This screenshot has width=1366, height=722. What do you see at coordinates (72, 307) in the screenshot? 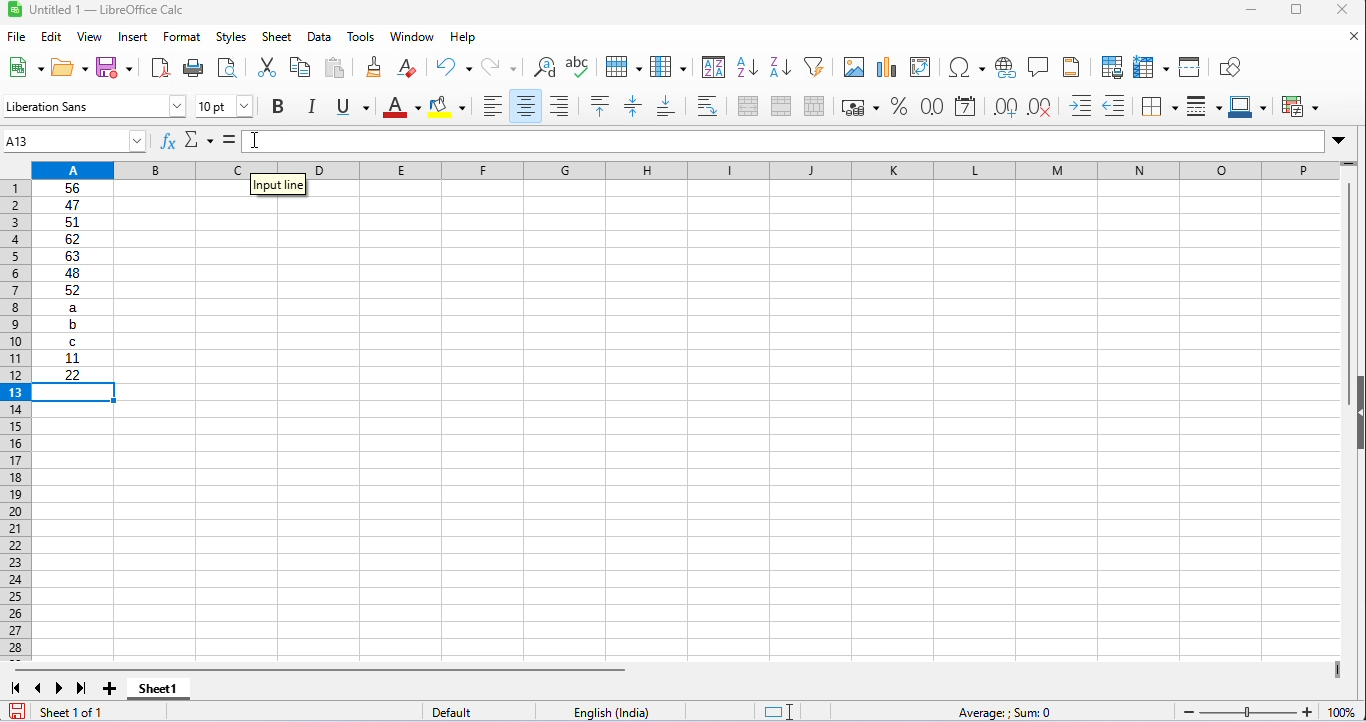
I see `a` at bounding box center [72, 307].